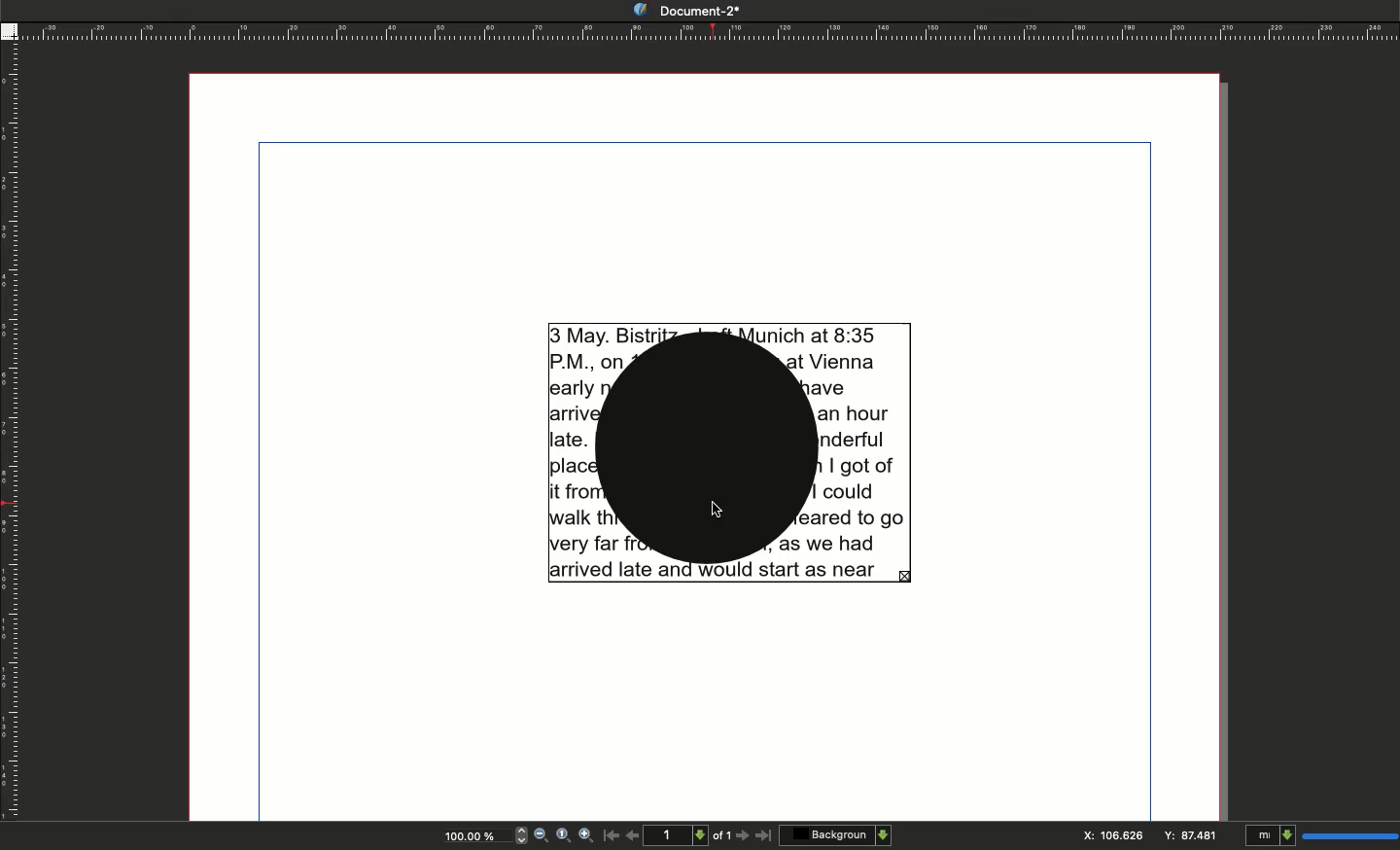 Image resolution: width=1400 pixels, height=850 pixels. I want to click on Background, so click(835, 834).